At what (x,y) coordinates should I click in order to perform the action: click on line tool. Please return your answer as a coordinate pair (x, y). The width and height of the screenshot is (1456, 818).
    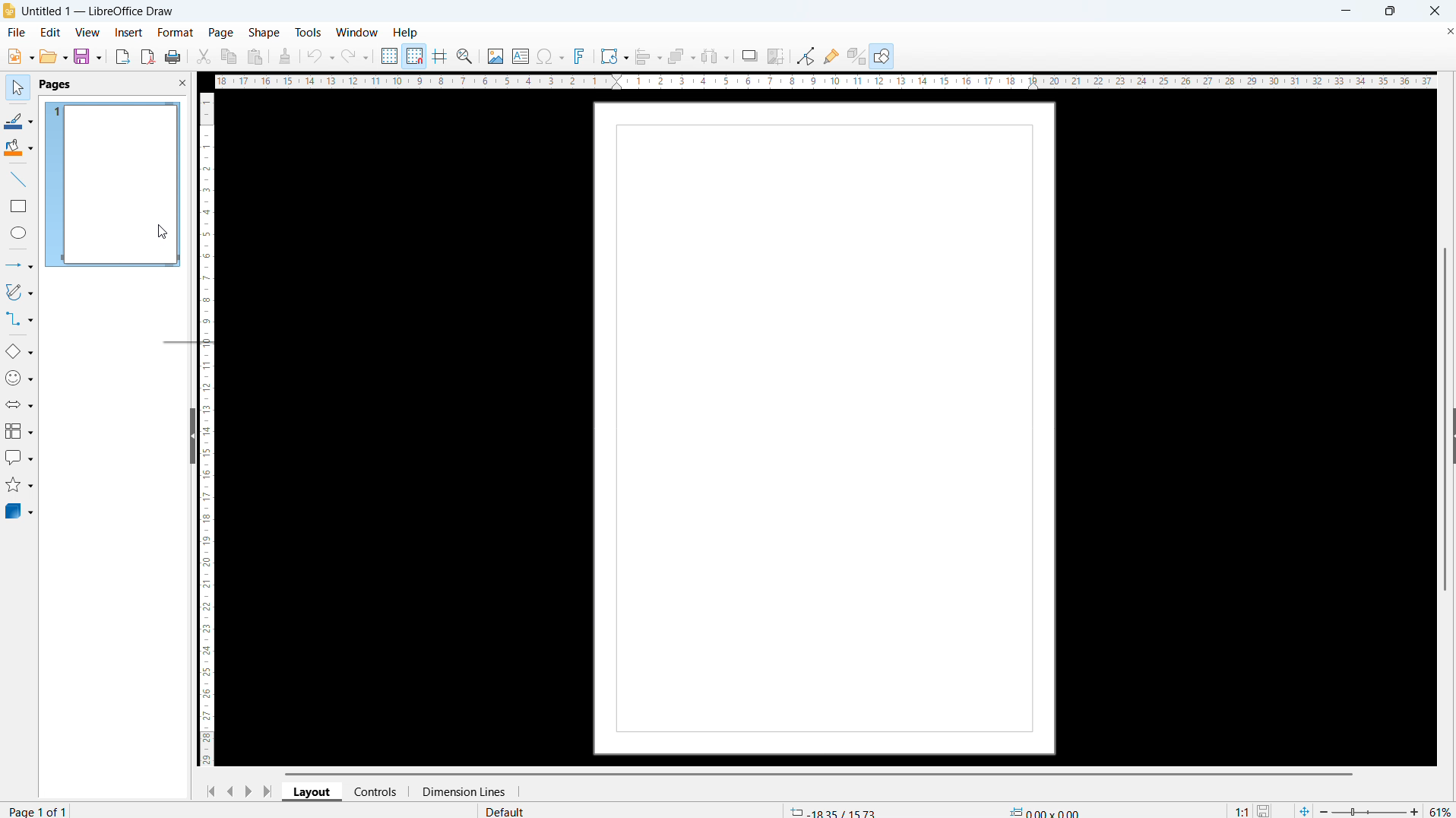
    Looking at the image, I should click on (18, 179).